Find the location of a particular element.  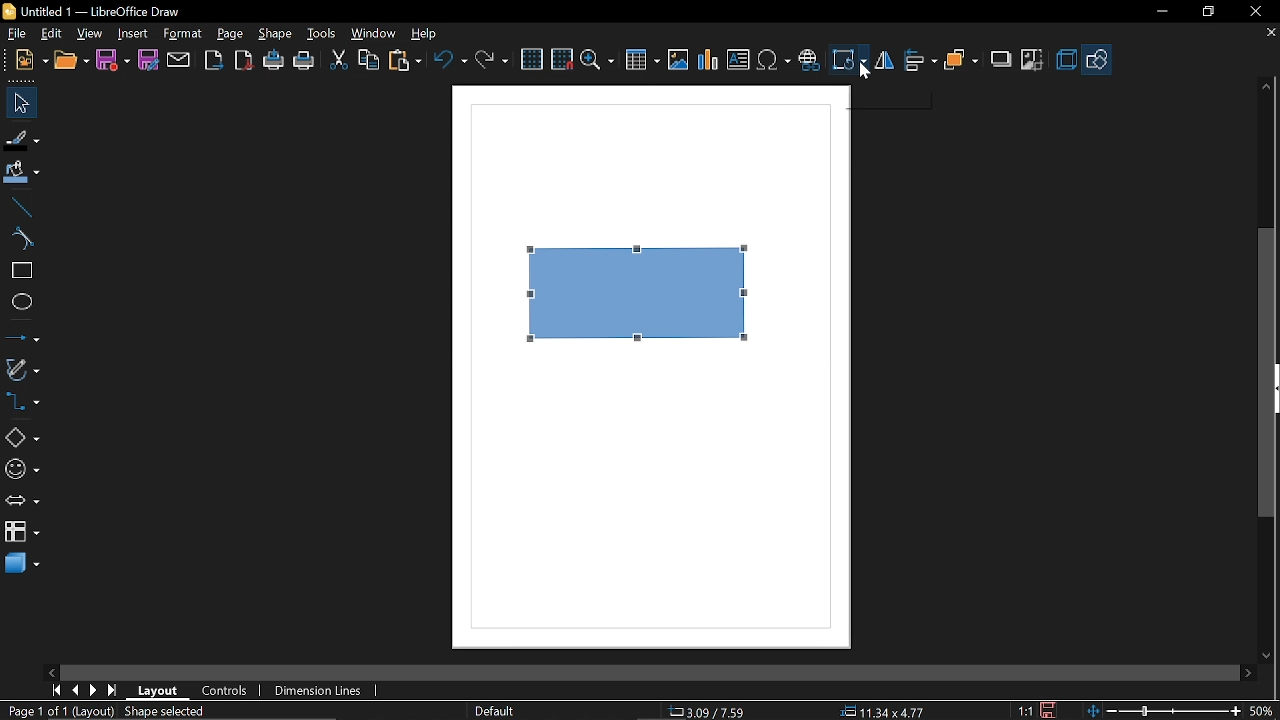

Move up is located at coordinates (1268, 86).